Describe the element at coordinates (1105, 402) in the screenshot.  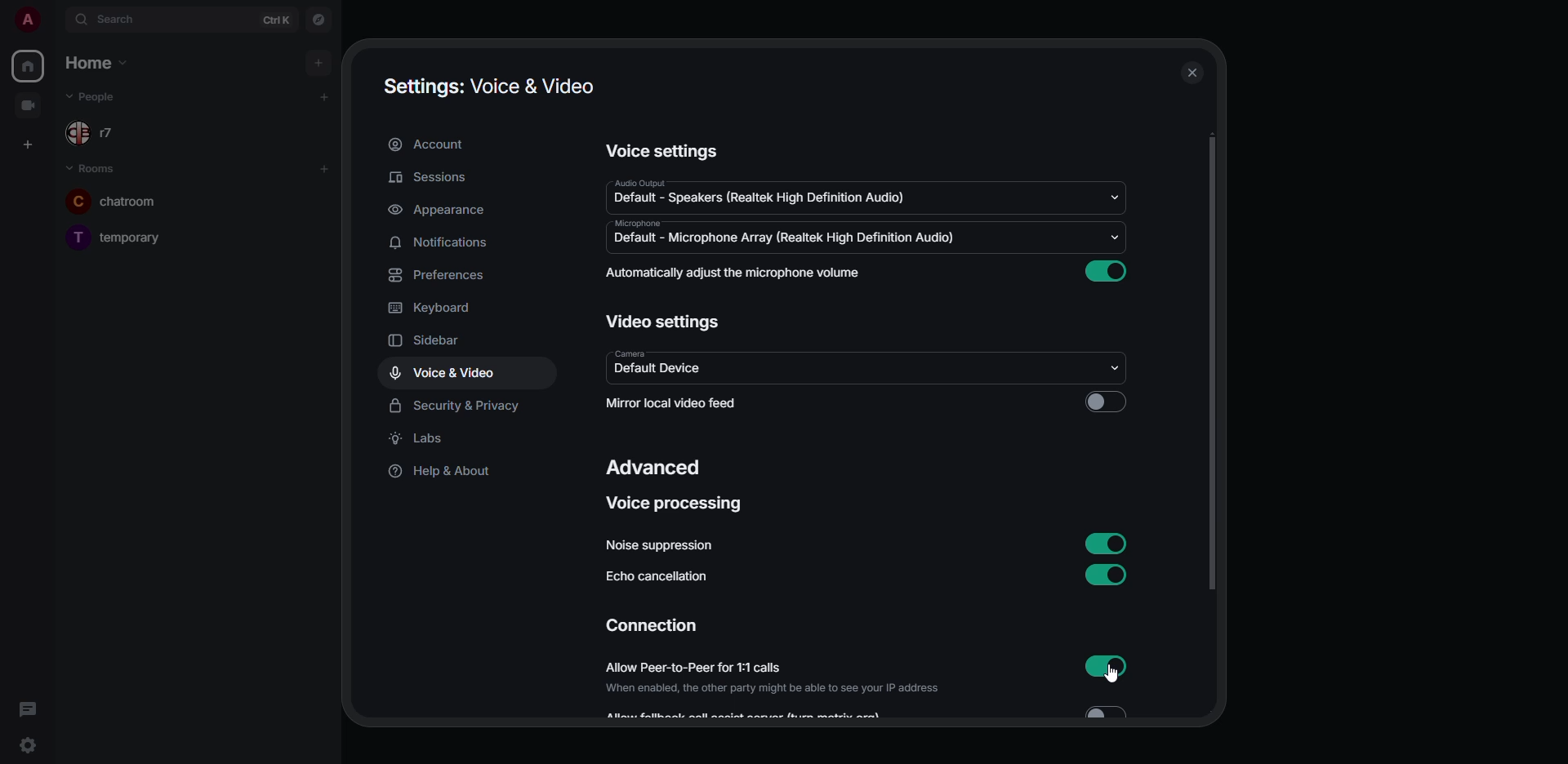
I see `click to enable` at that location.